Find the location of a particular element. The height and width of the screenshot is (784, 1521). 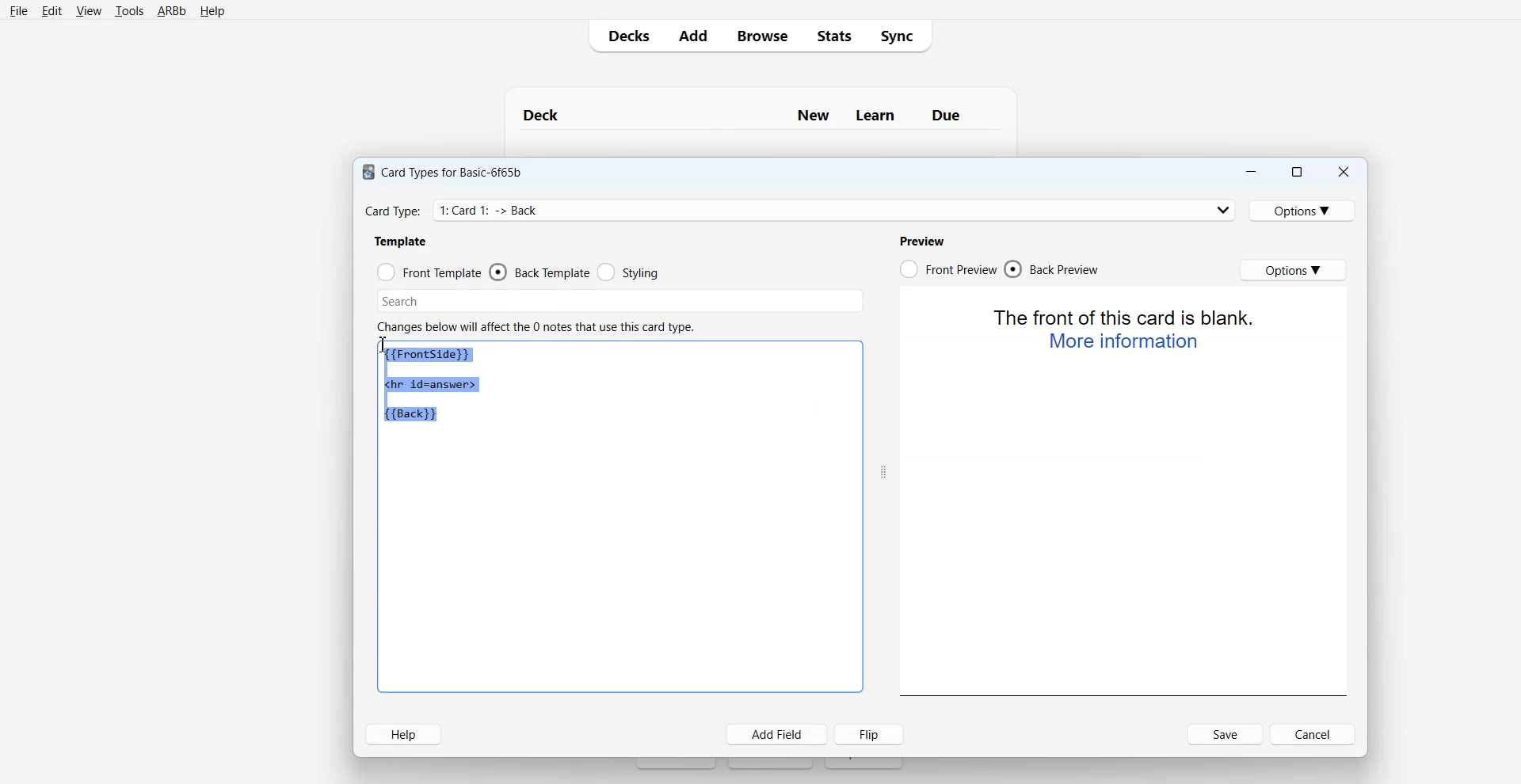

Options is located at coordinates (1294, 270).